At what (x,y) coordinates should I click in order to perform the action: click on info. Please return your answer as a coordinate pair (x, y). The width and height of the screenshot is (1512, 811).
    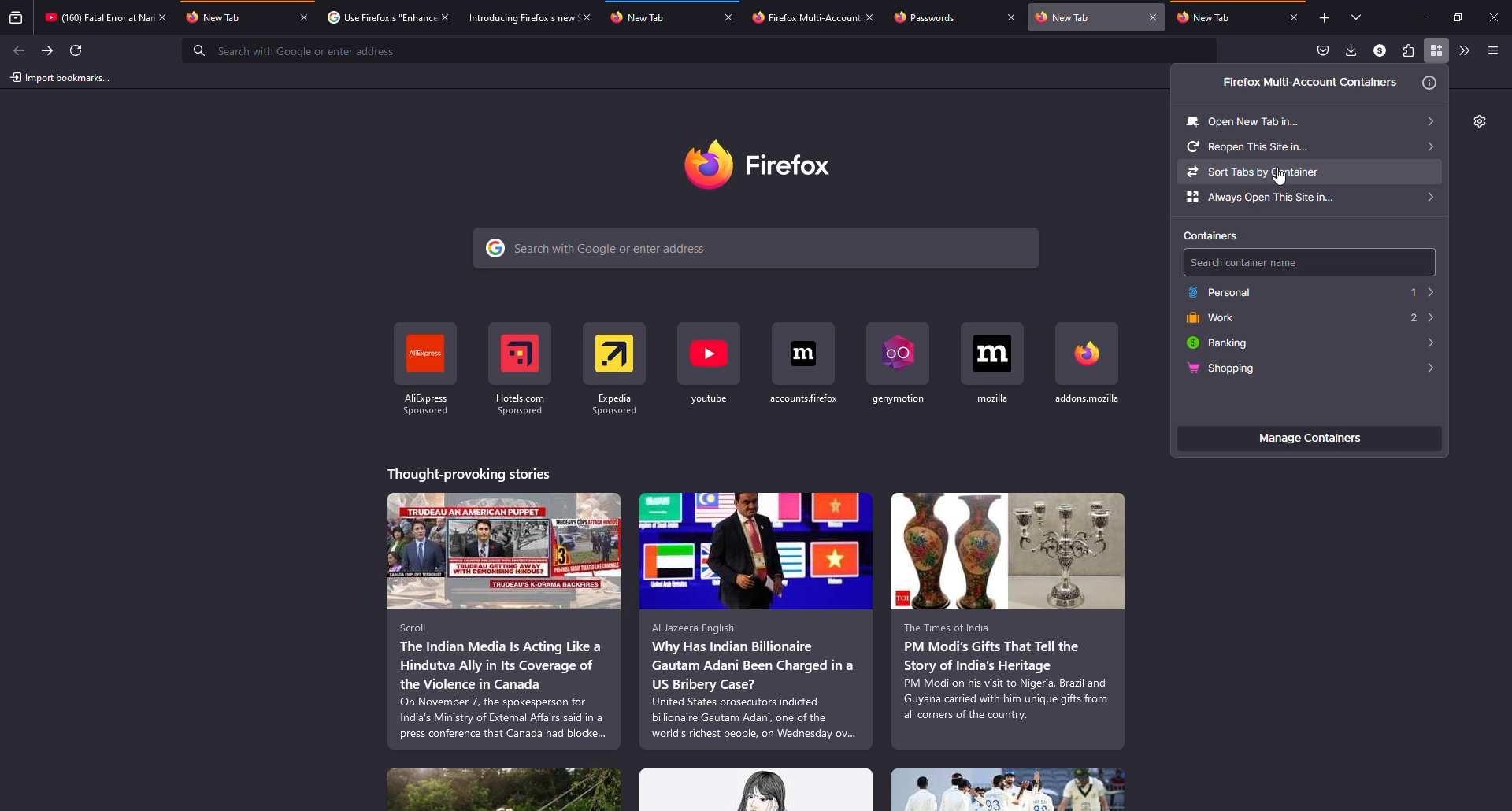
    Looking at the image, I should click on (1430, 83).